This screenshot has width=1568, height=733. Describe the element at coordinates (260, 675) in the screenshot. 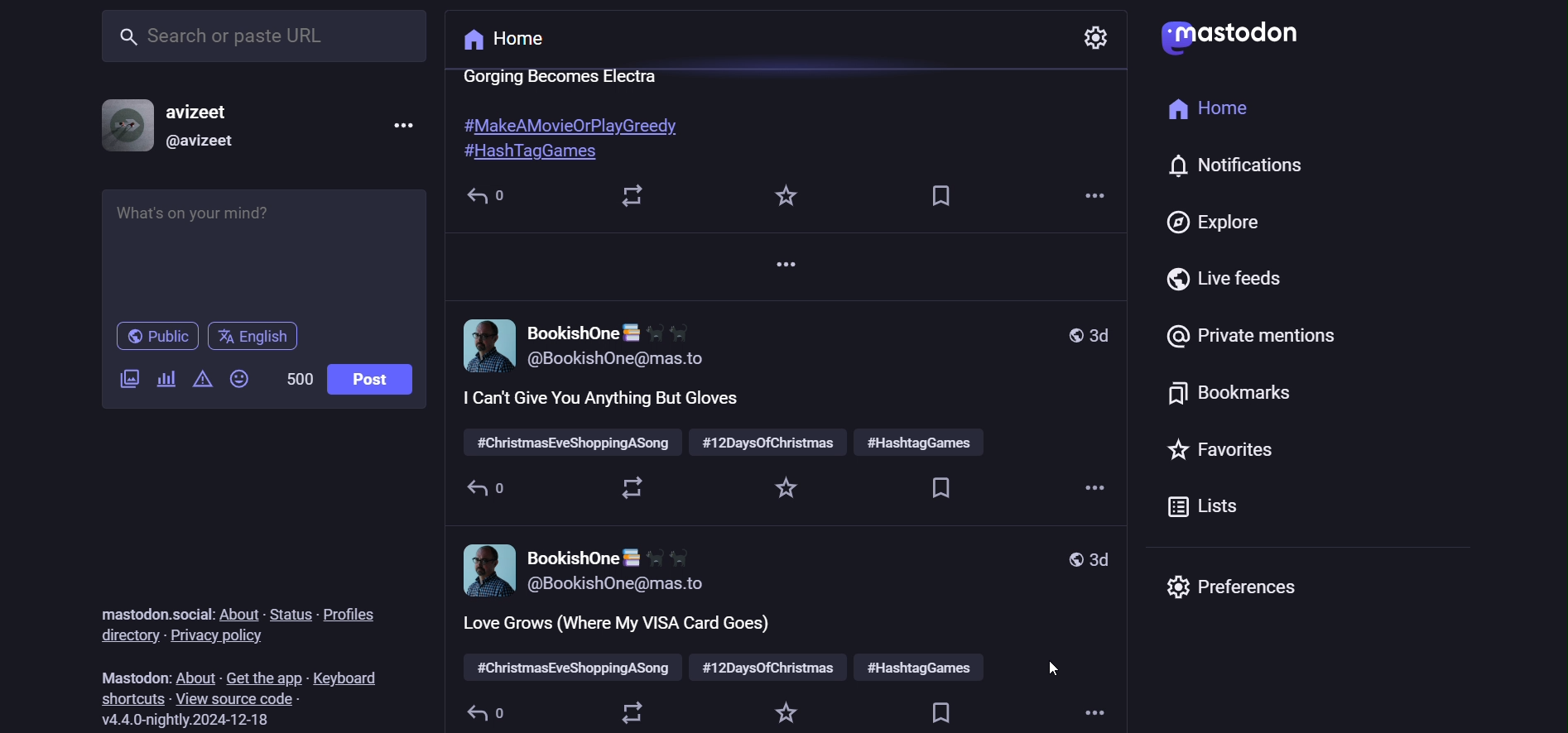

I see `get the app` at that location.